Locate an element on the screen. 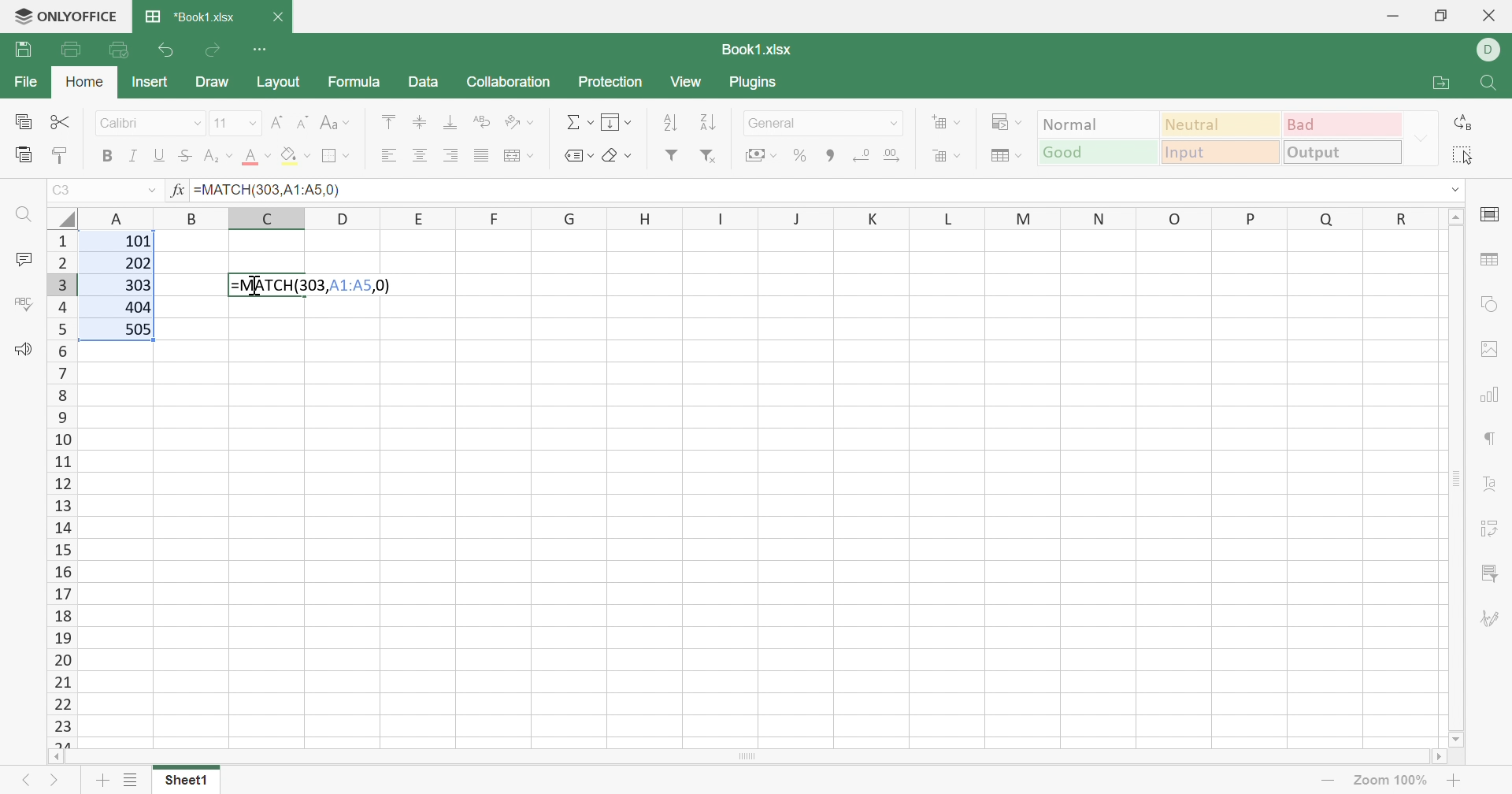 The height and width of the screenshot is (794, 1512). Home is located at coordinates (87, 84).